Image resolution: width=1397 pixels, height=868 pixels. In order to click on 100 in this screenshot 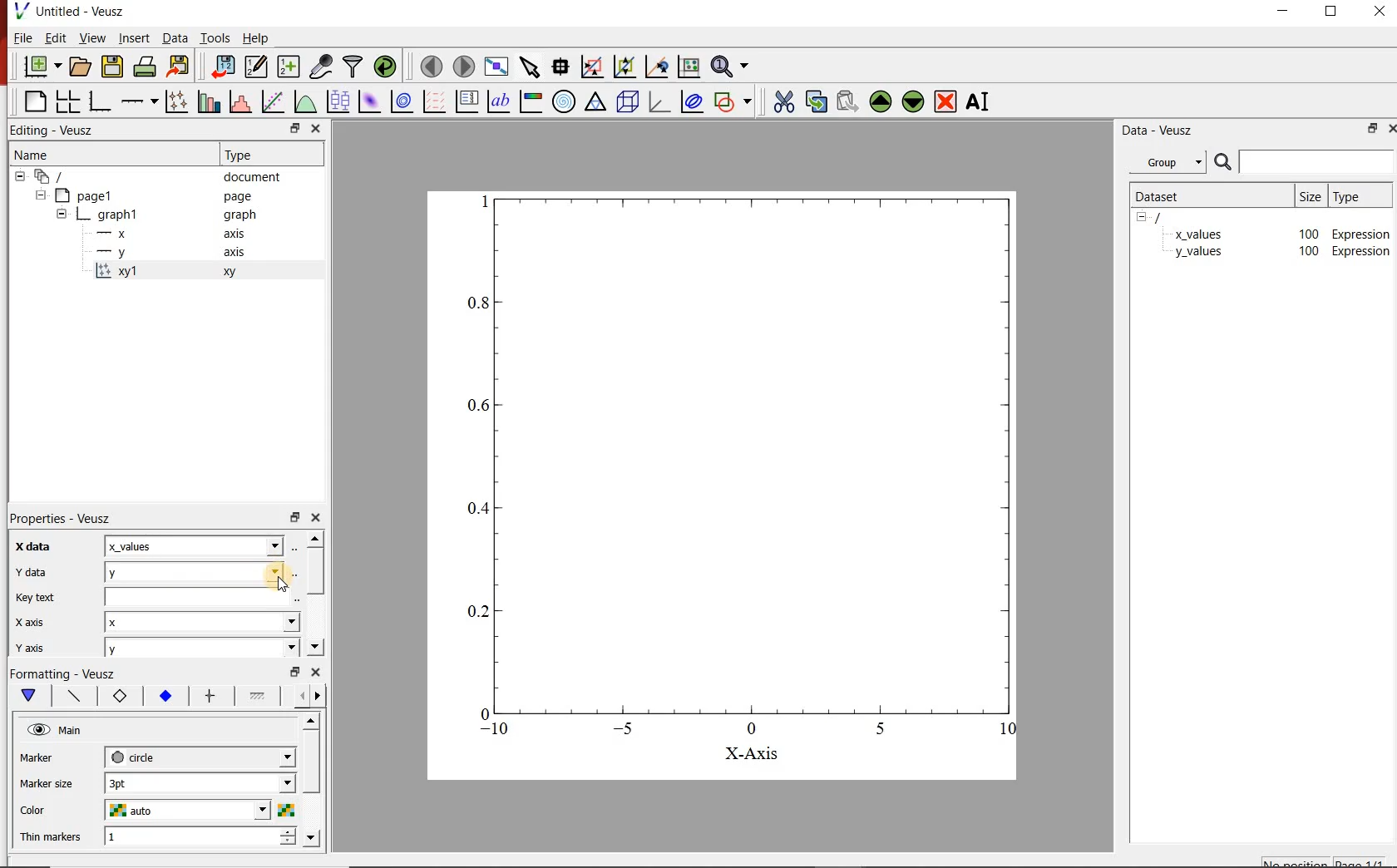, I will do `click(1307, 253)`.